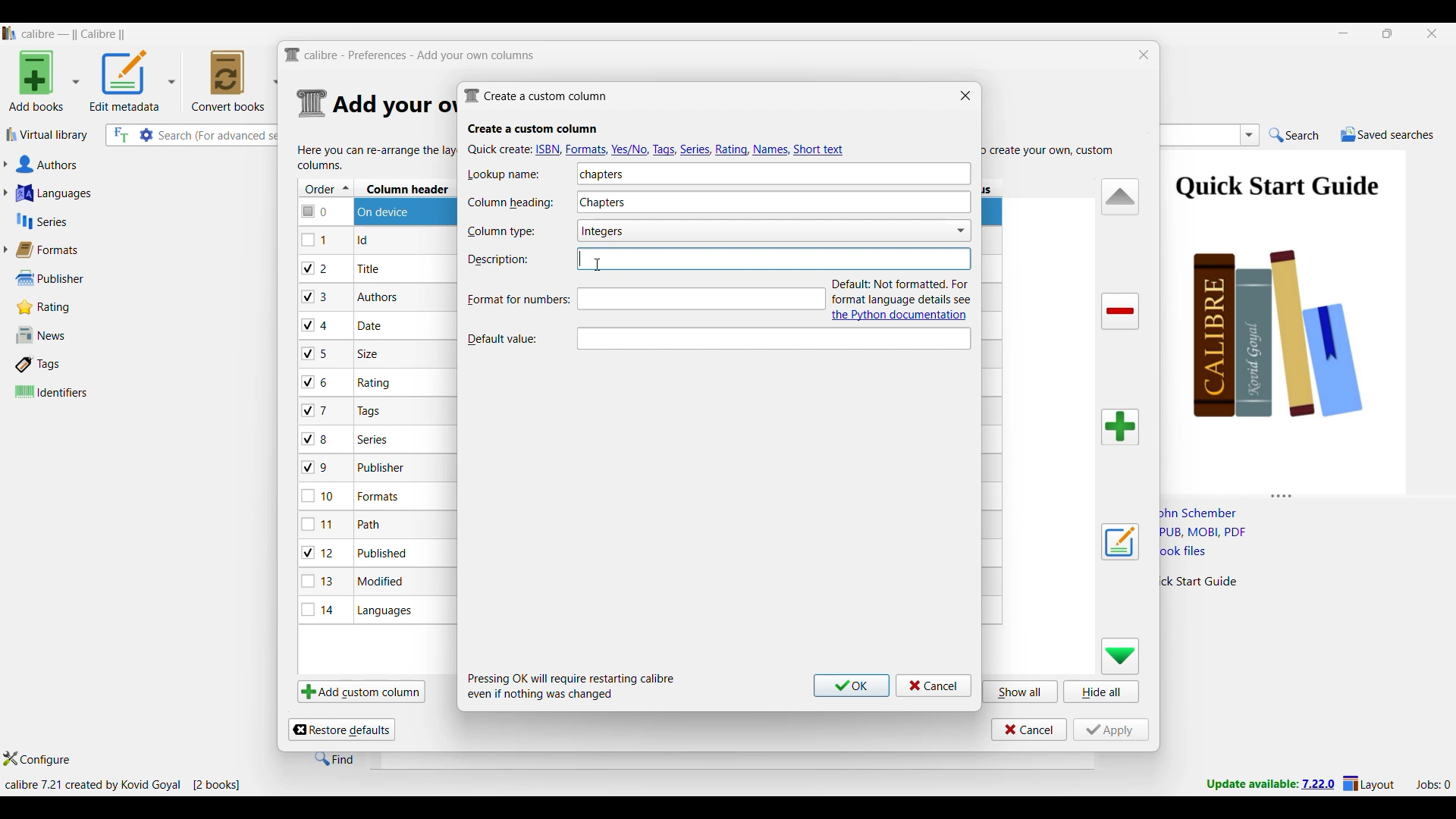 The image size is (1456, 819). Describe the element at coordinates (320, 552) in the screenshot. I see `checkbox - 12` at that location.